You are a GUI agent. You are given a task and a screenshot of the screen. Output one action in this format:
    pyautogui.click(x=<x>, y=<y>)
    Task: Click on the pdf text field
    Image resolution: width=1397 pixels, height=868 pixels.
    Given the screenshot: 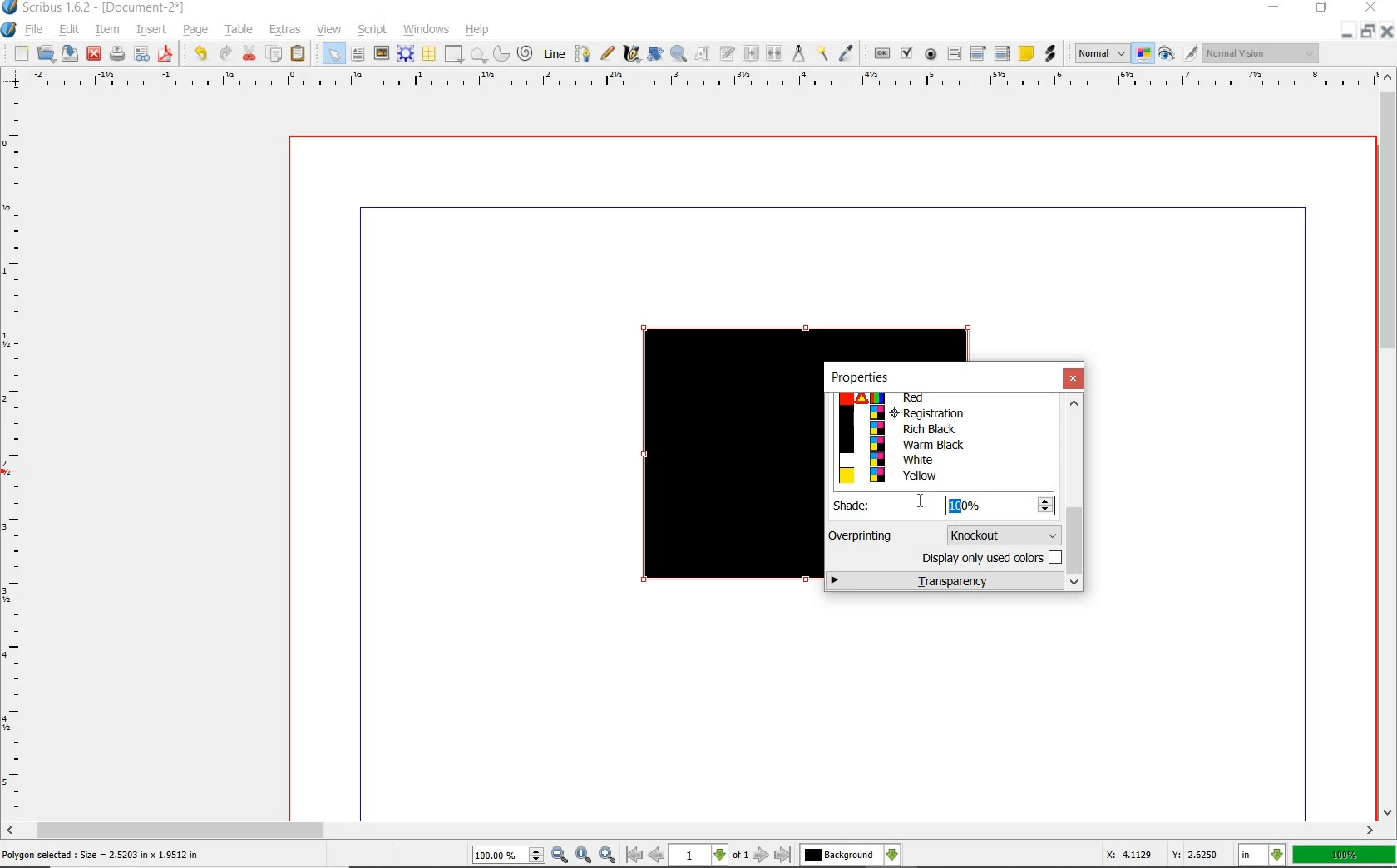 What is the action you would take?
    pyautogui.click(x=955, y=54)
    